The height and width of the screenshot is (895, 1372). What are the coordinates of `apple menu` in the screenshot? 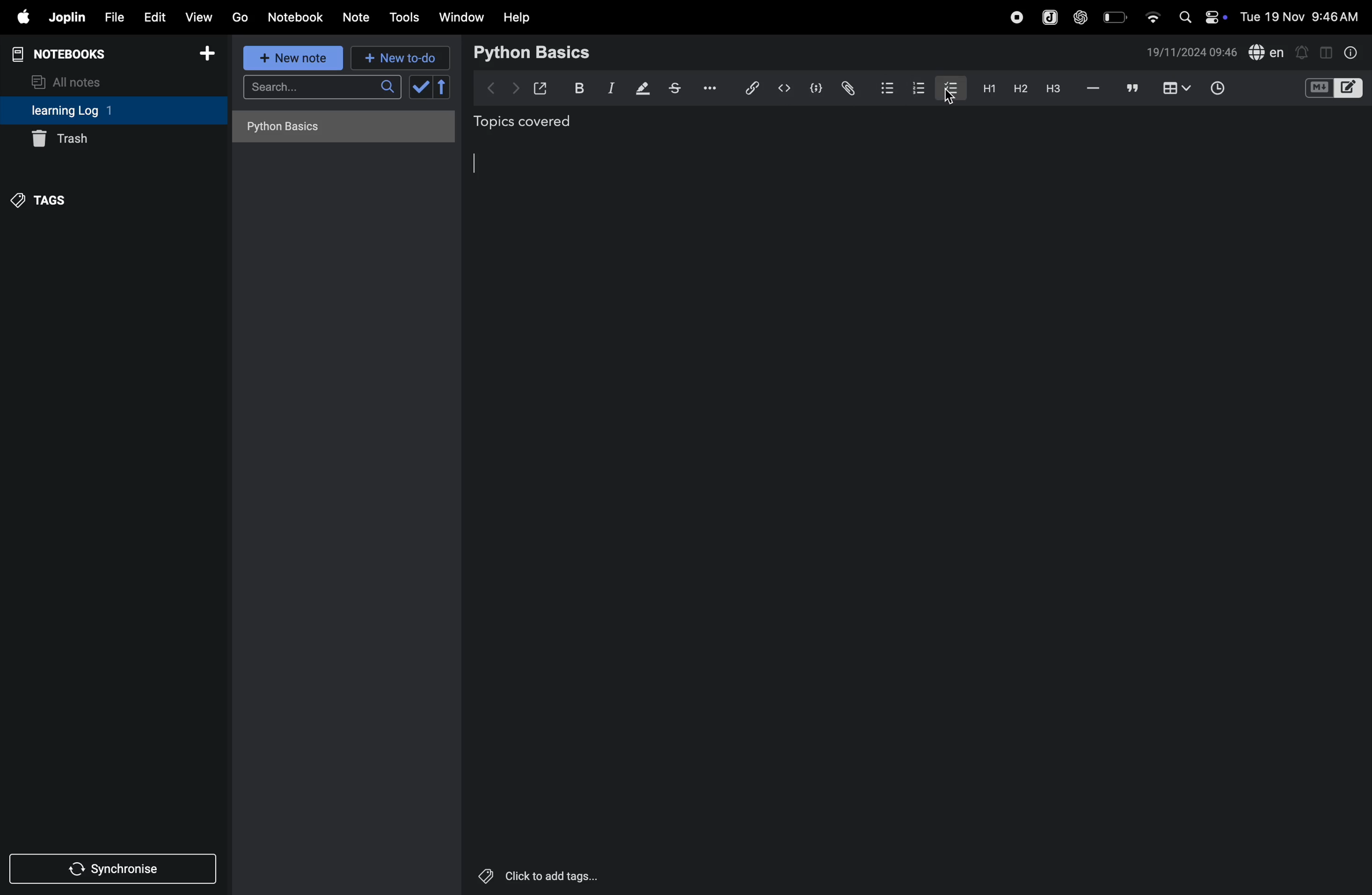 It's located at (18, 18).